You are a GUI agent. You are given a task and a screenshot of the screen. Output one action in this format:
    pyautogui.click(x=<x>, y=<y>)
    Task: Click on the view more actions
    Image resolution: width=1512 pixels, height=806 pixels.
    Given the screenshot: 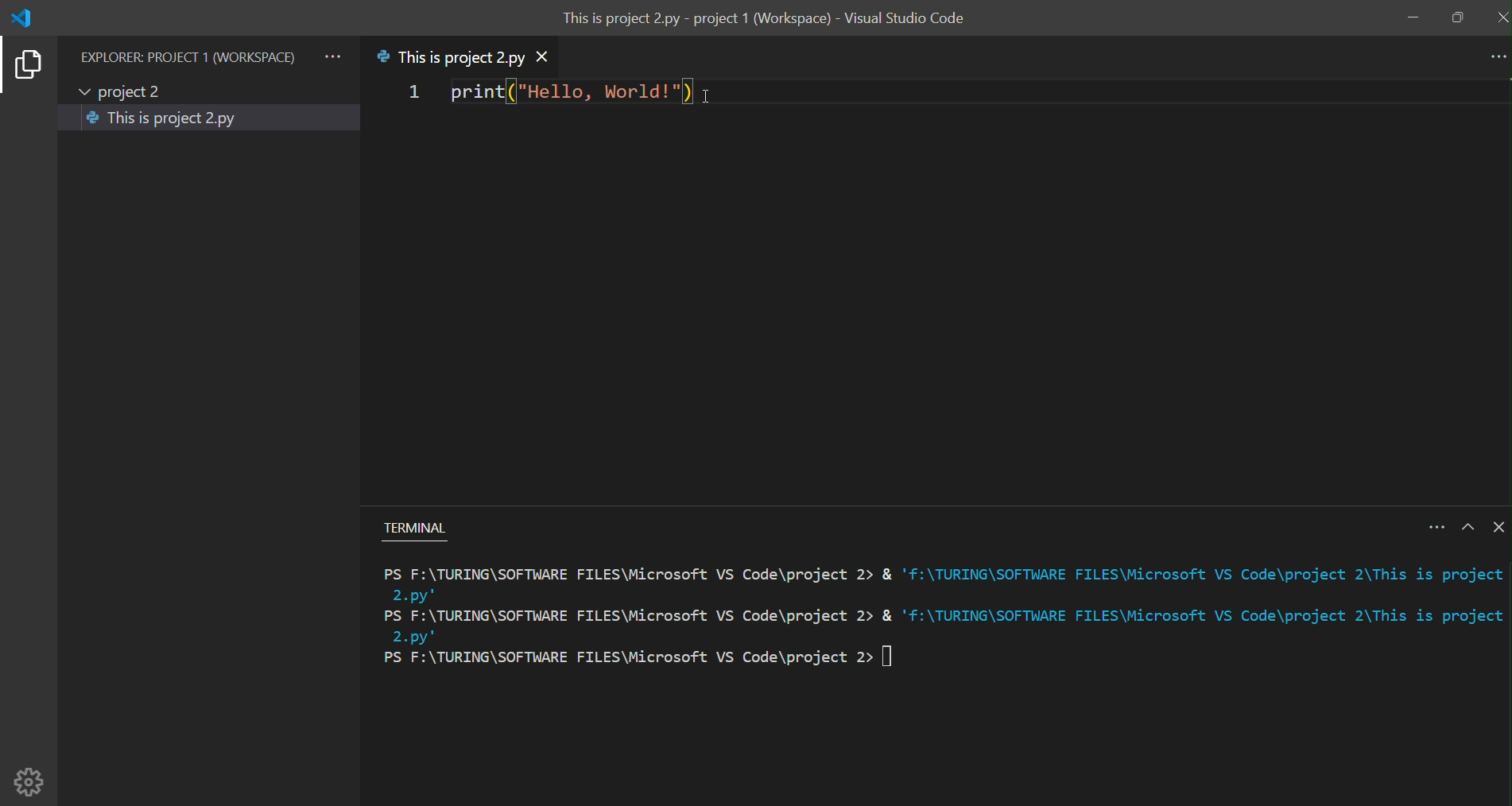 What is the action you would take?
    pyautogui.click(x=333, y=56)
    